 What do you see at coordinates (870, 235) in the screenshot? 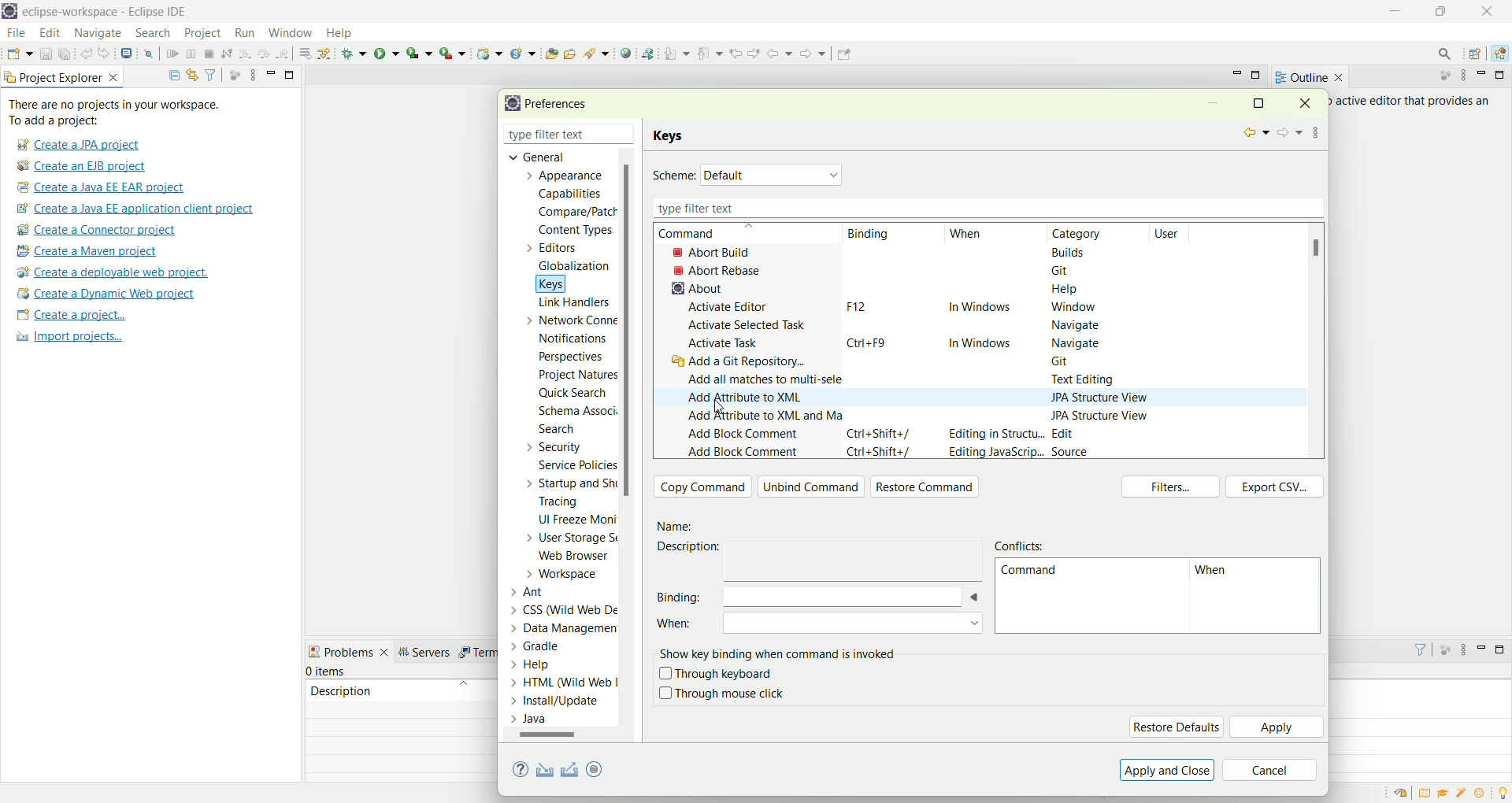
I see `inding` at bounding box center [870, 235].